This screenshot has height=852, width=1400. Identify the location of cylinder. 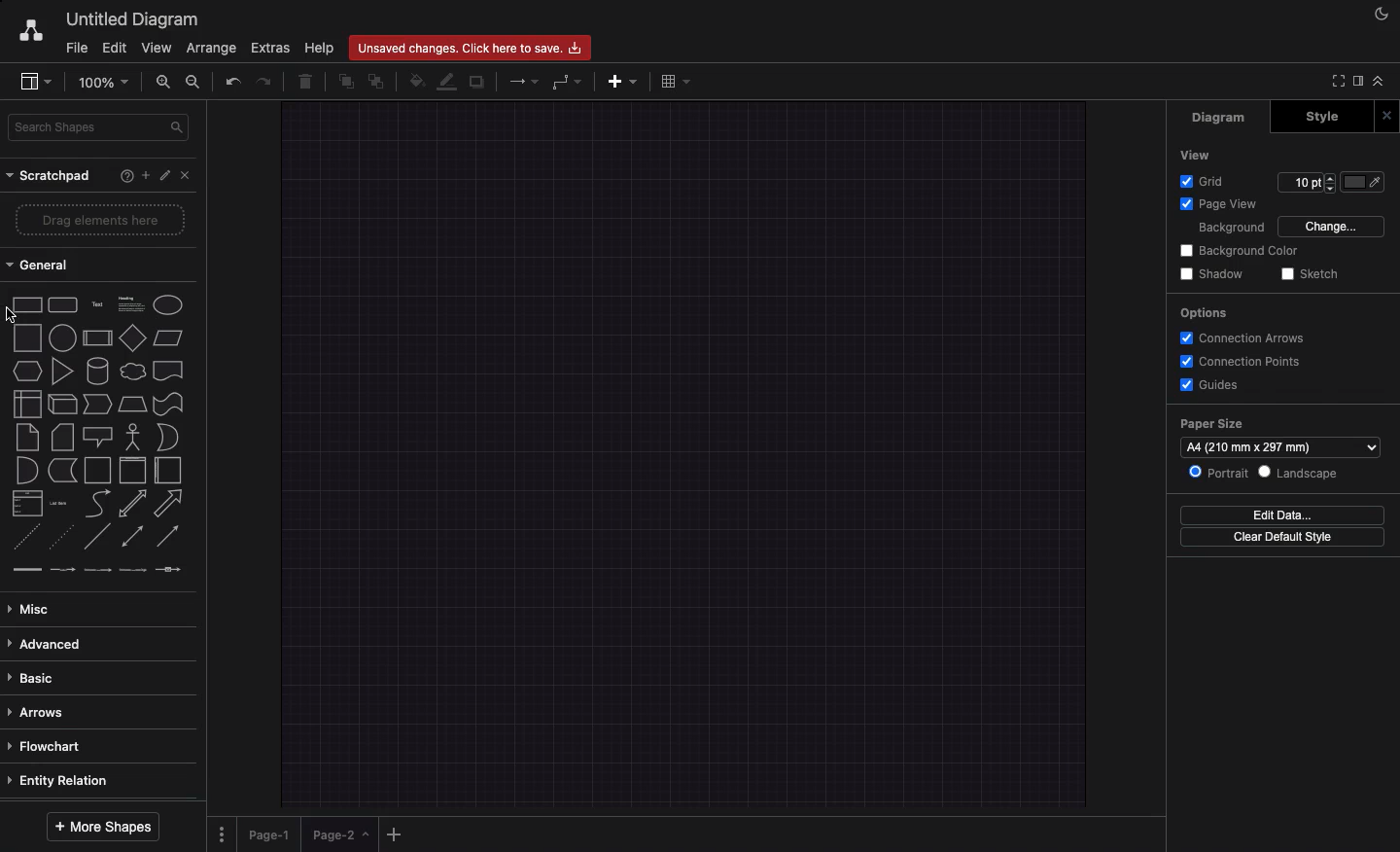
(97, 370).